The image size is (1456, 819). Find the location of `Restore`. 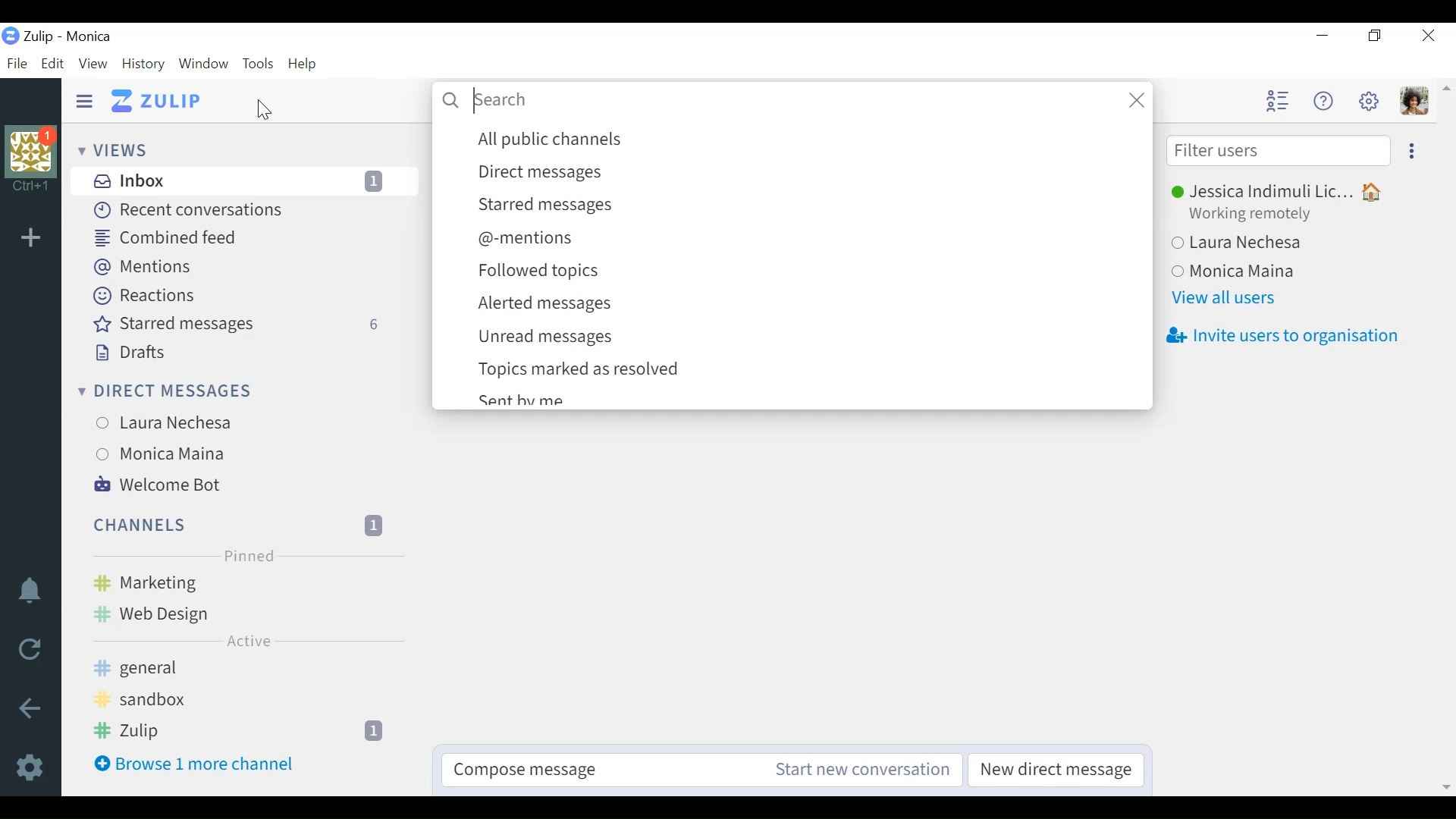

Restore is located at coordinates (1375, 36).